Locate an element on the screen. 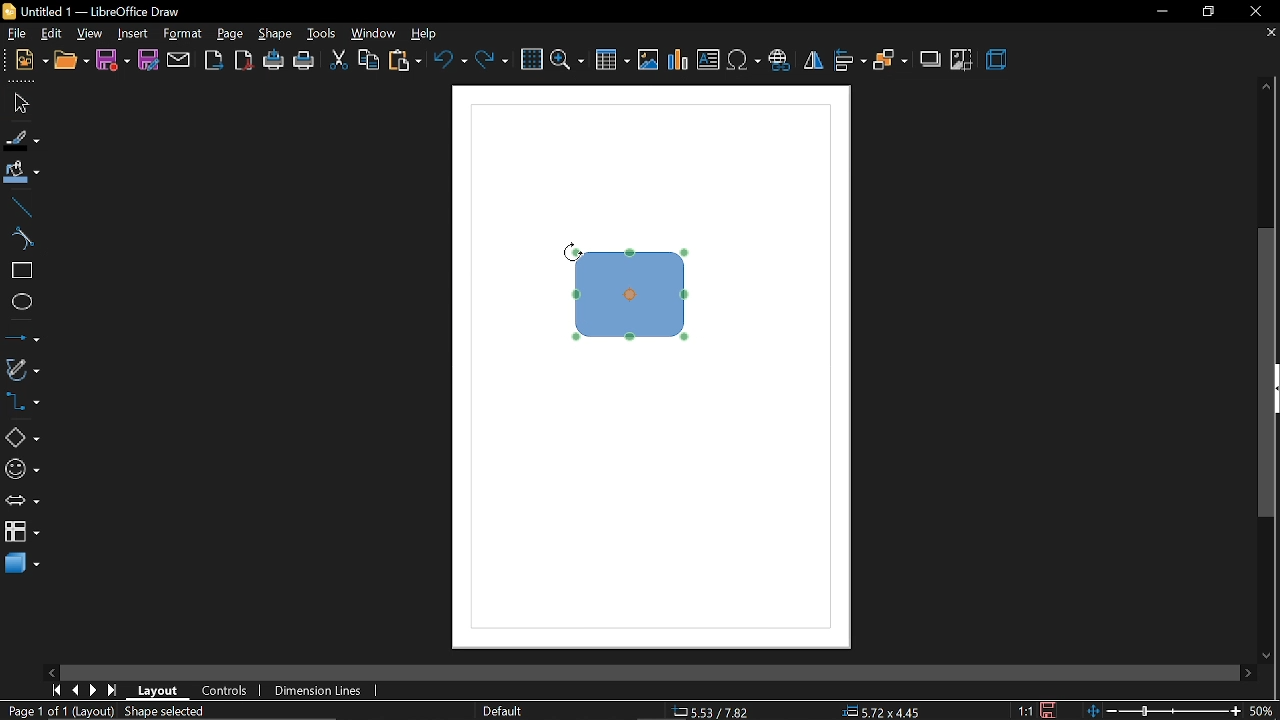 The image size is (1280, 720). cut is located at coordinates (340, 60).